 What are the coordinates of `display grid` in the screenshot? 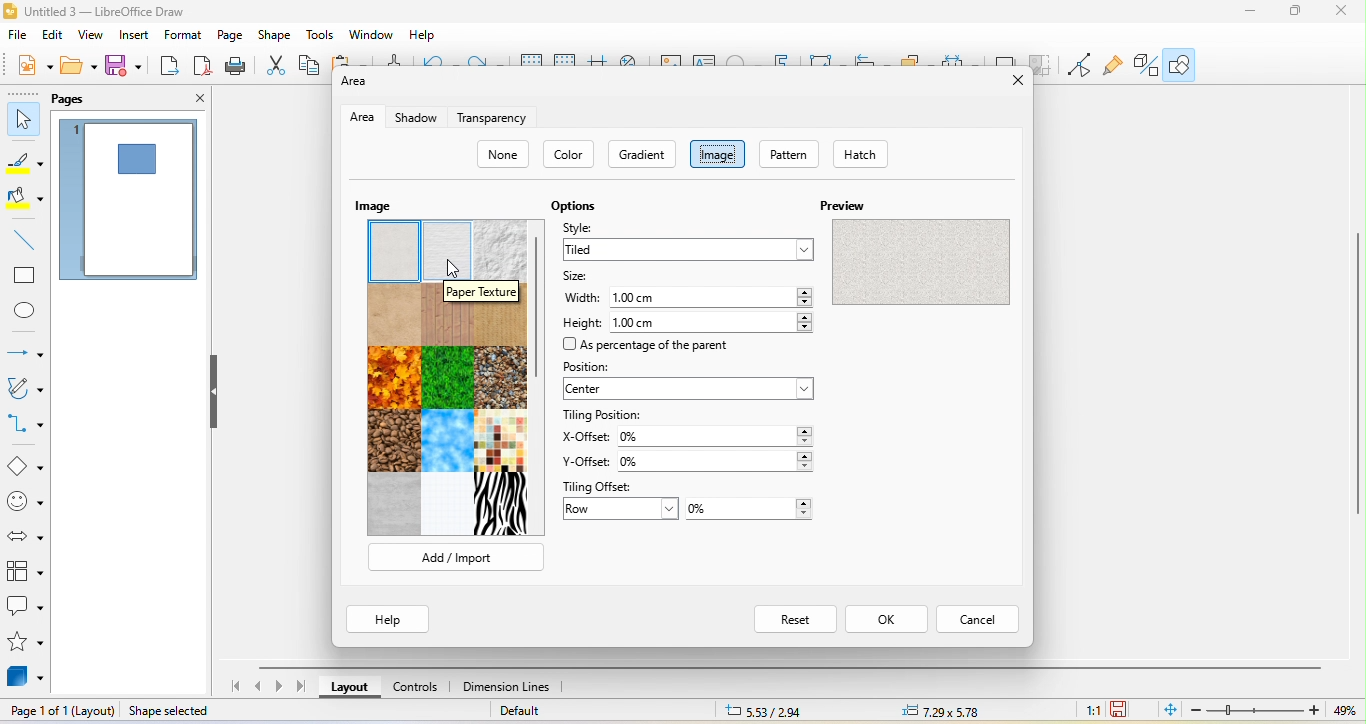 It's located at (528, 58).